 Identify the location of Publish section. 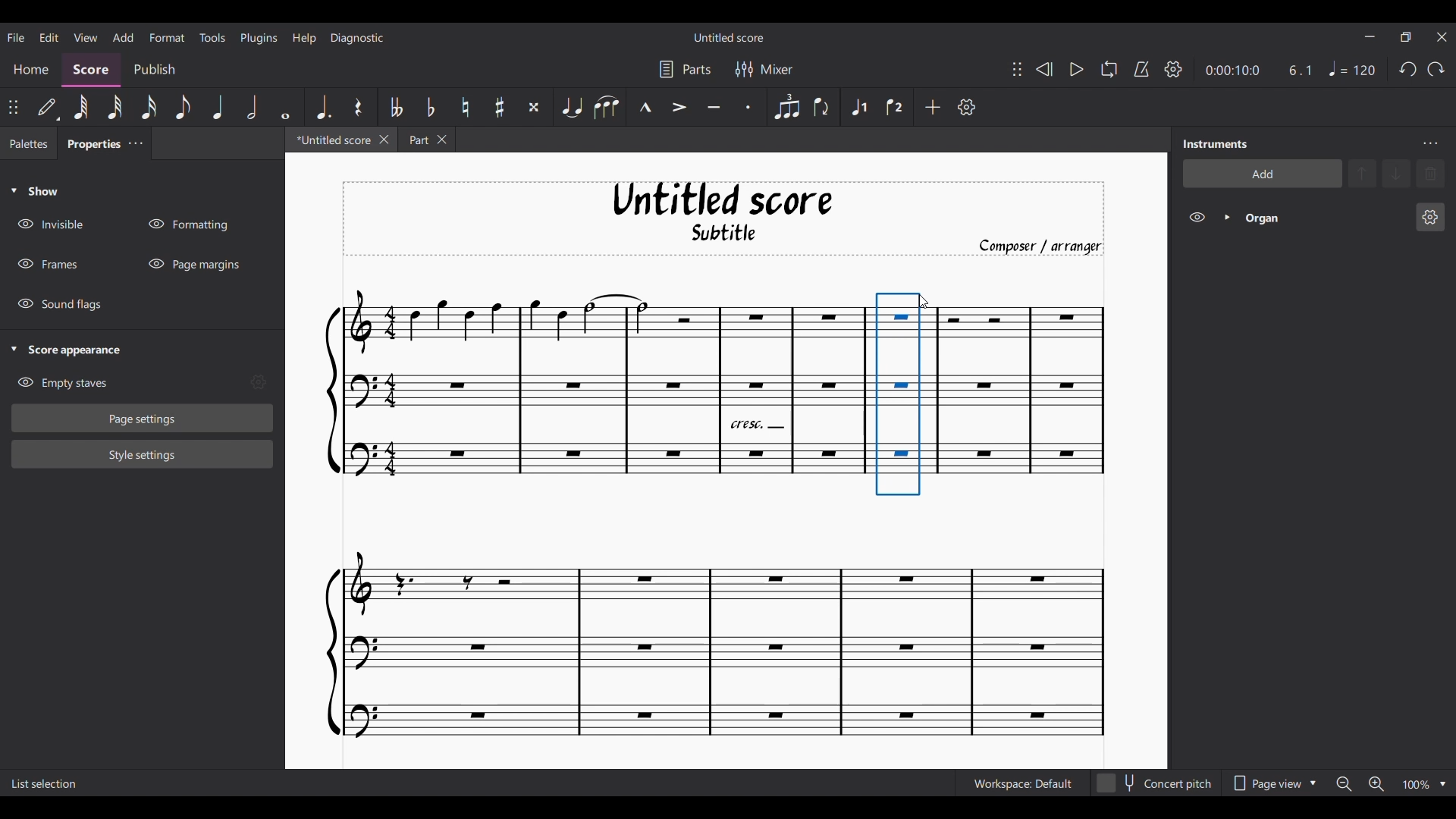
(153, 71).